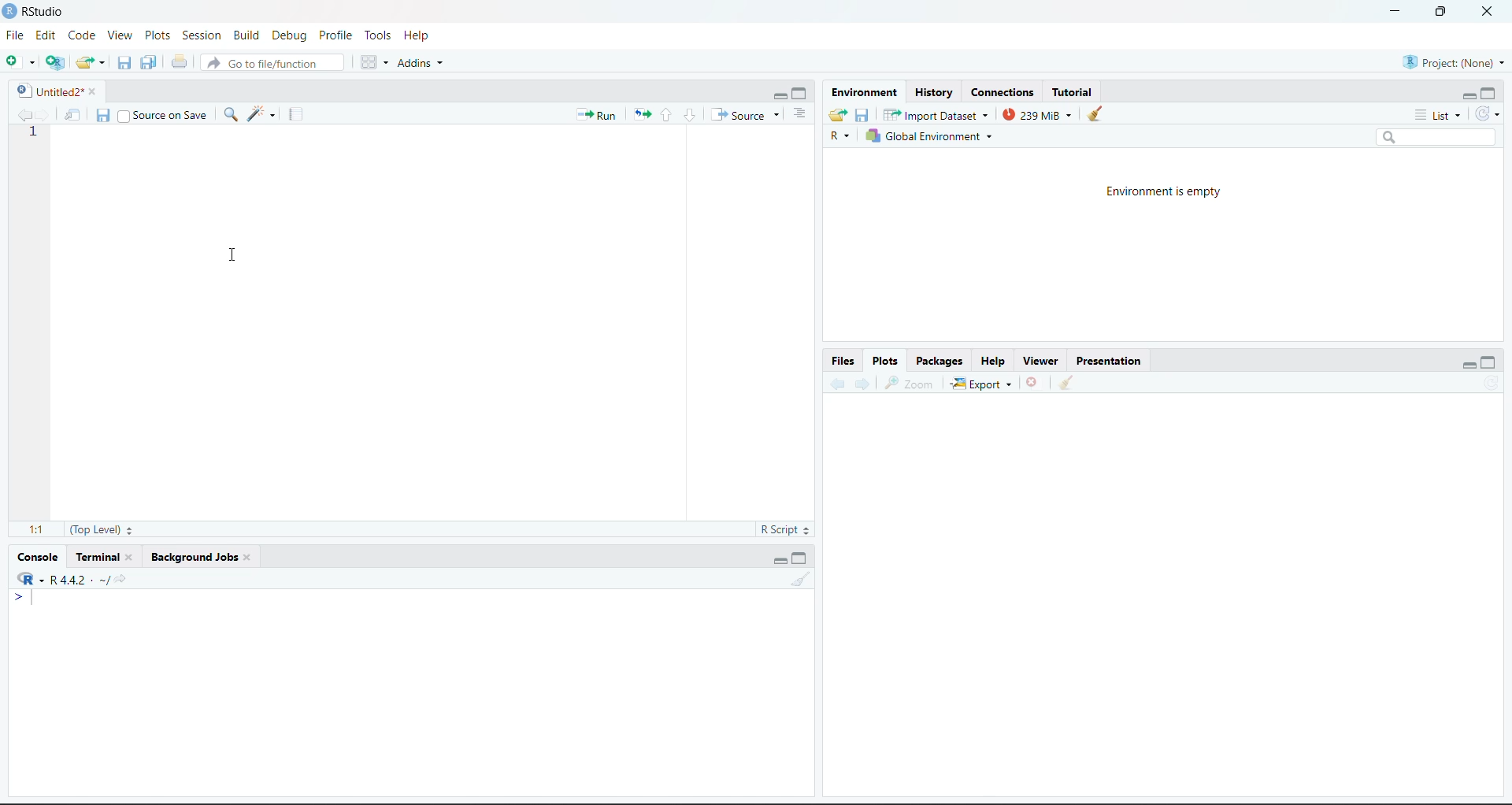  I want to click on History, so click(934, 93).